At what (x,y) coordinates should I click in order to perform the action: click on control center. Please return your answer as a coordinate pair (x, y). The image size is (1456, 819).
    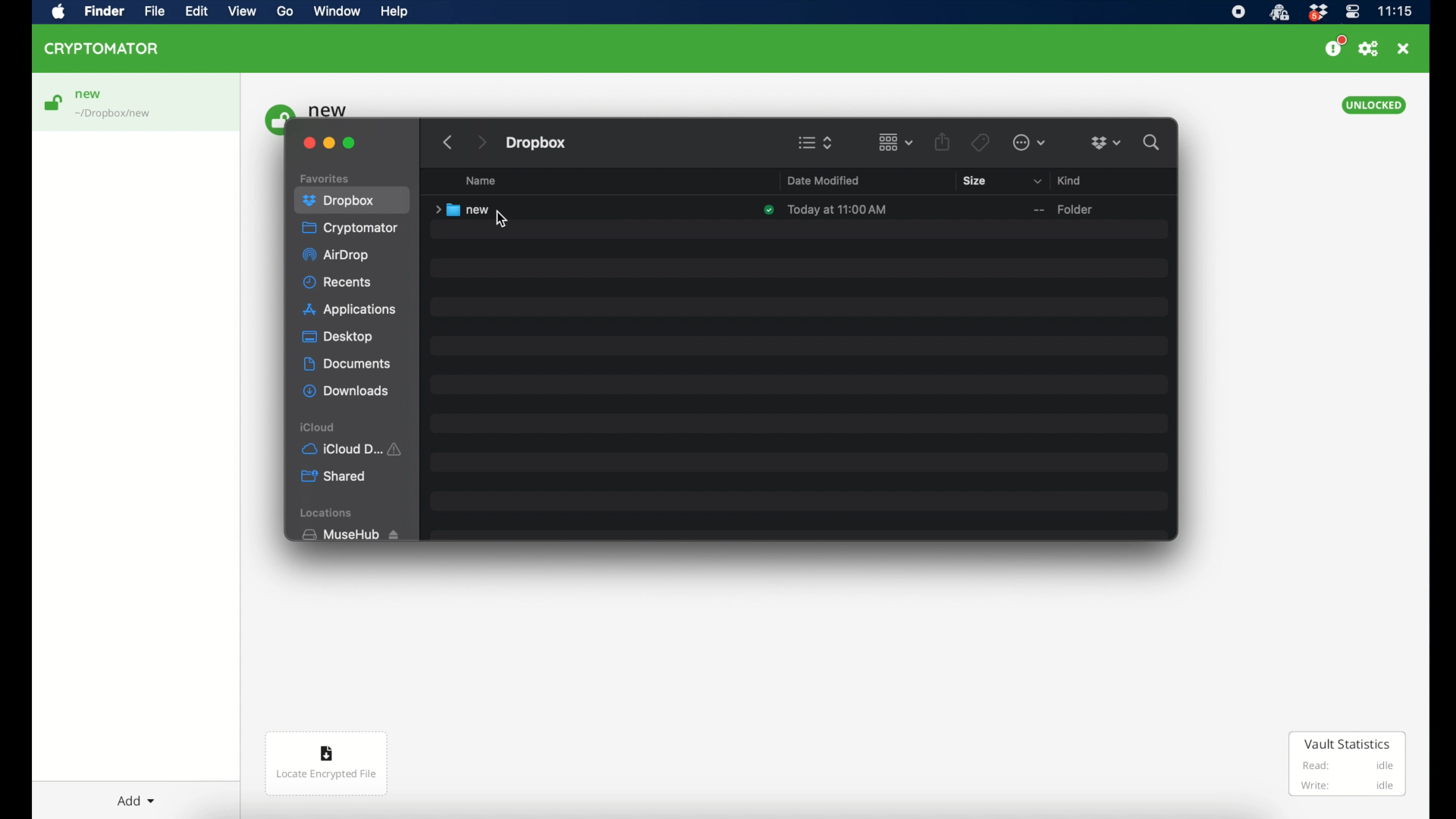
    Looking at the image, I should click on (1353, 12).